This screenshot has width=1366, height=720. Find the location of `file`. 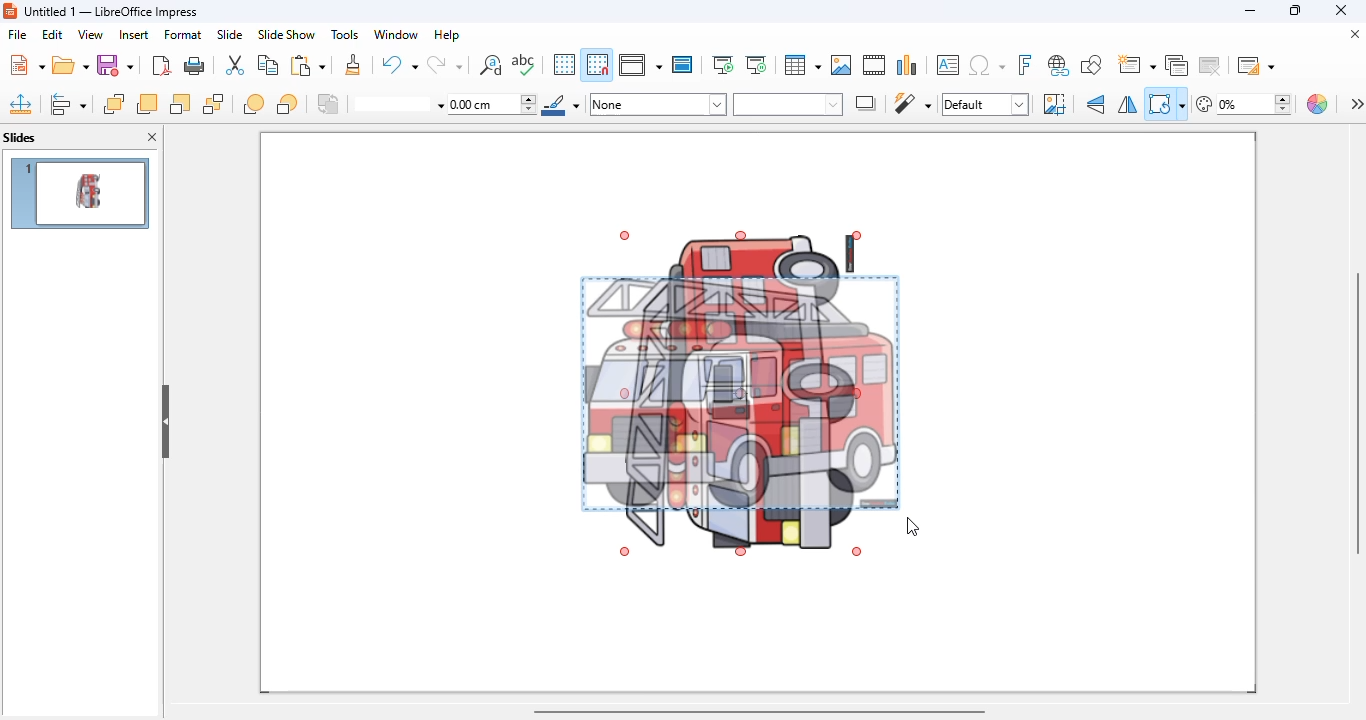

file is located at coordinates (18, 34).